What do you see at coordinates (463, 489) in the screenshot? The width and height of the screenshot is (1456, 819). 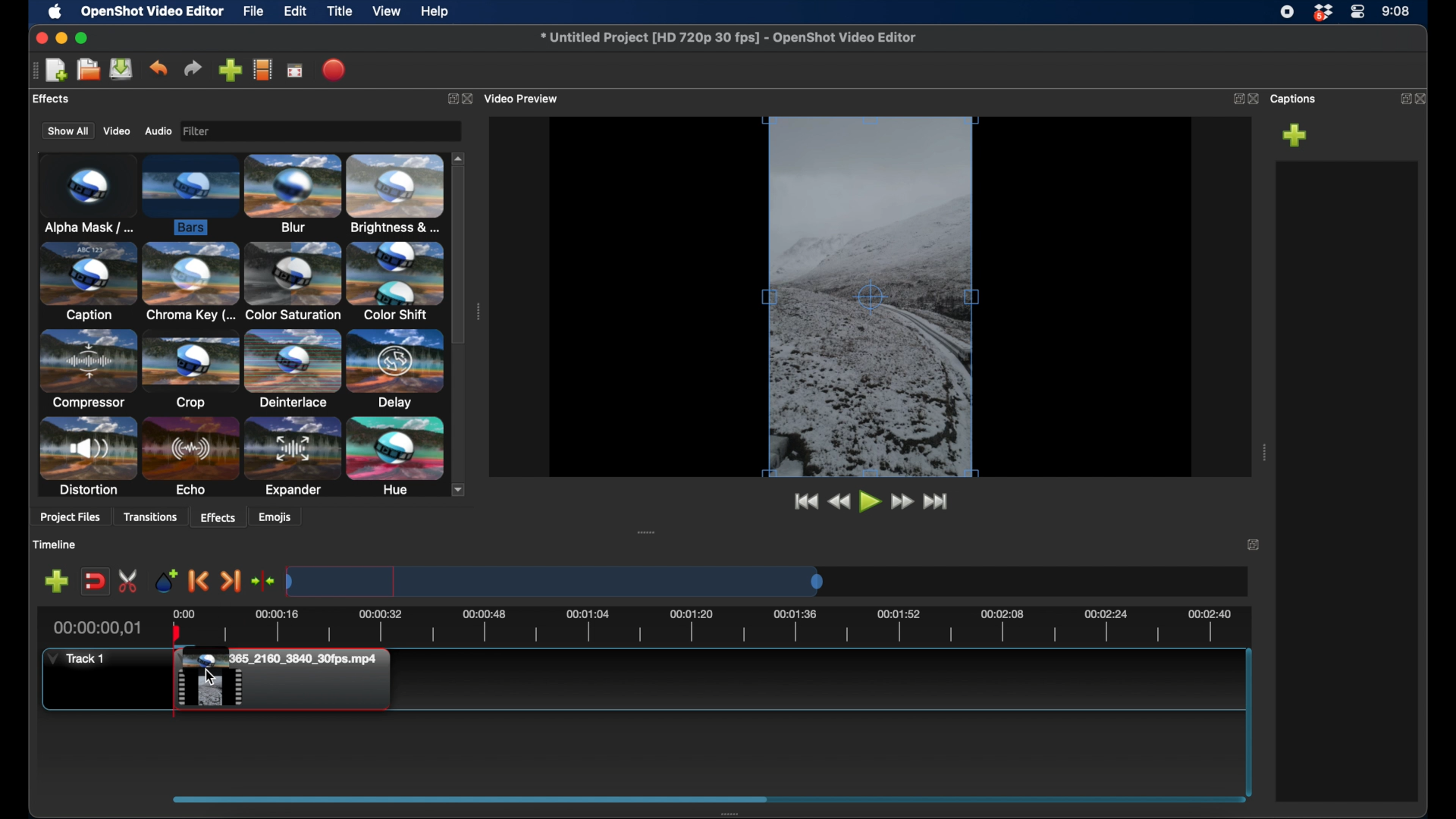 I see `scroll down arrow` at bounding box center [463, 489].